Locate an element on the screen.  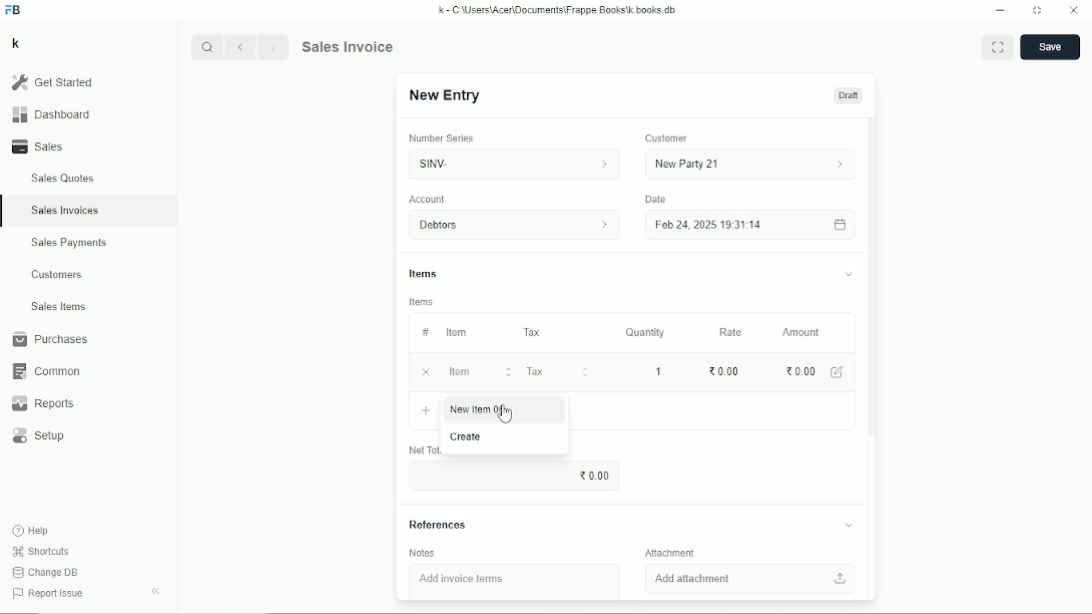
Vertical scrollbar is located at coordinates (874, 283).